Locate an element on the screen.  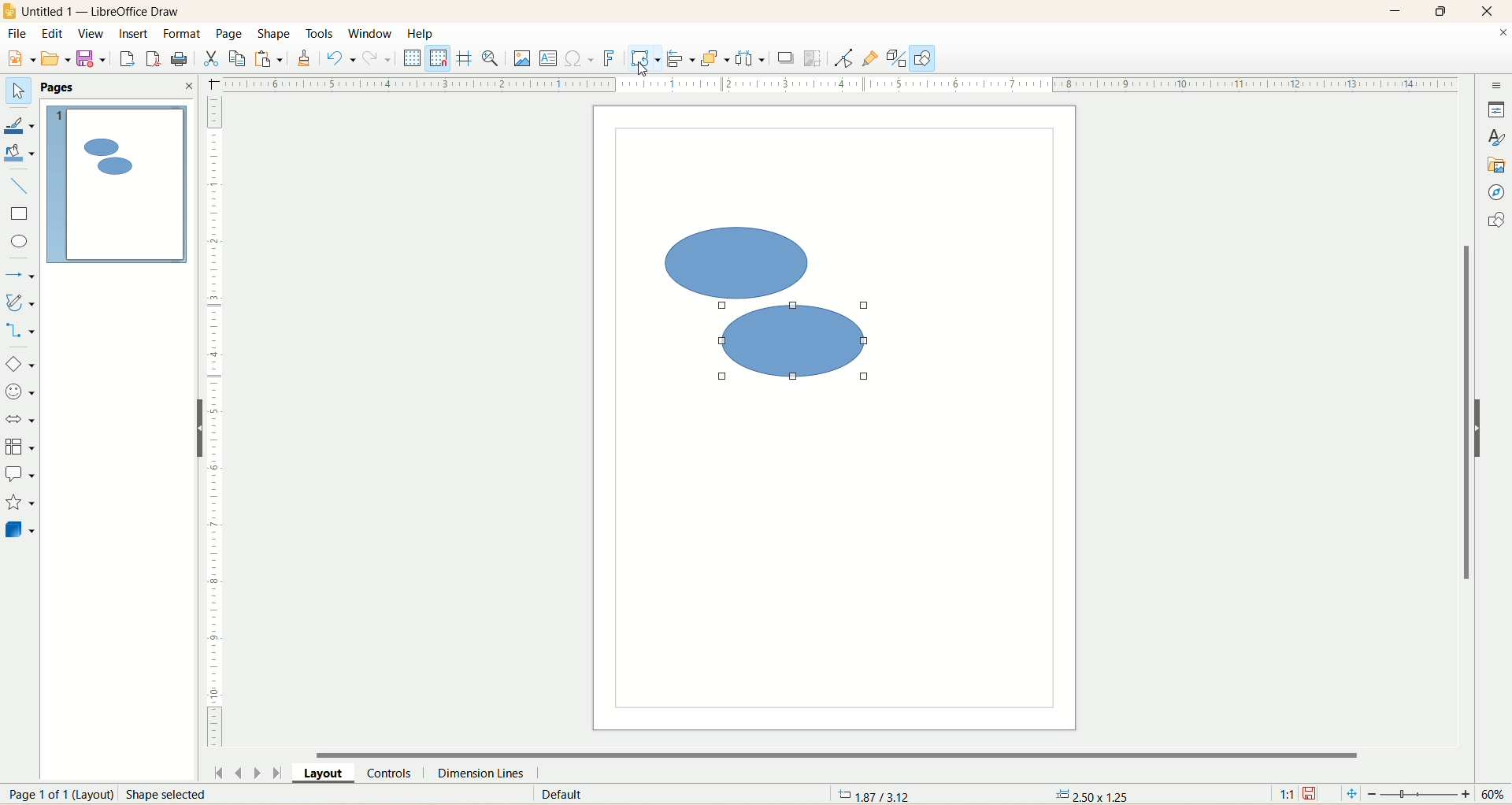
gluepoint function is located at coordinates (873, 58).